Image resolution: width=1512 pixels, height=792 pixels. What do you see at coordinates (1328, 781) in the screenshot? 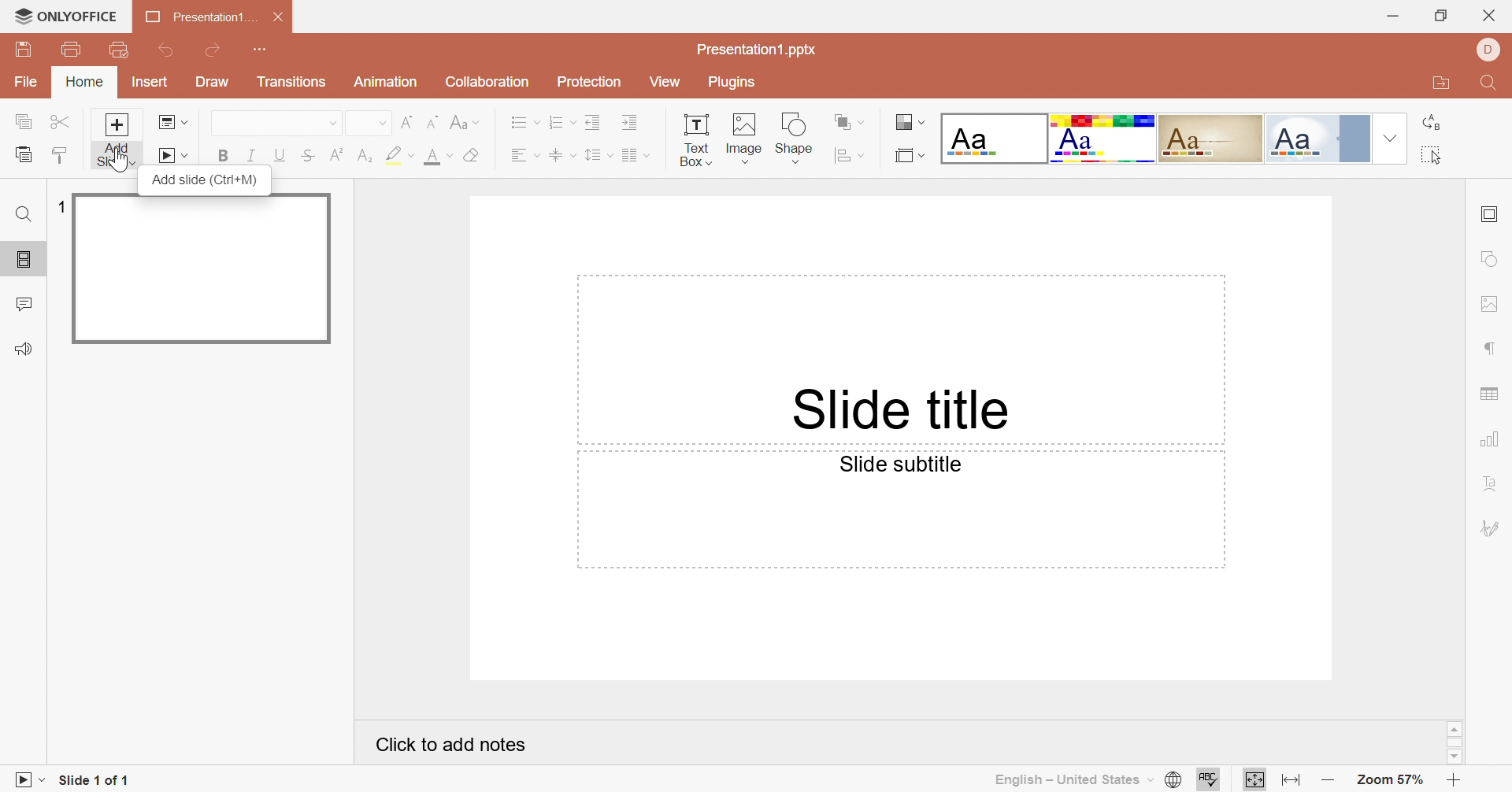
I see `Zoom out` at bounding box center [1328, 781].